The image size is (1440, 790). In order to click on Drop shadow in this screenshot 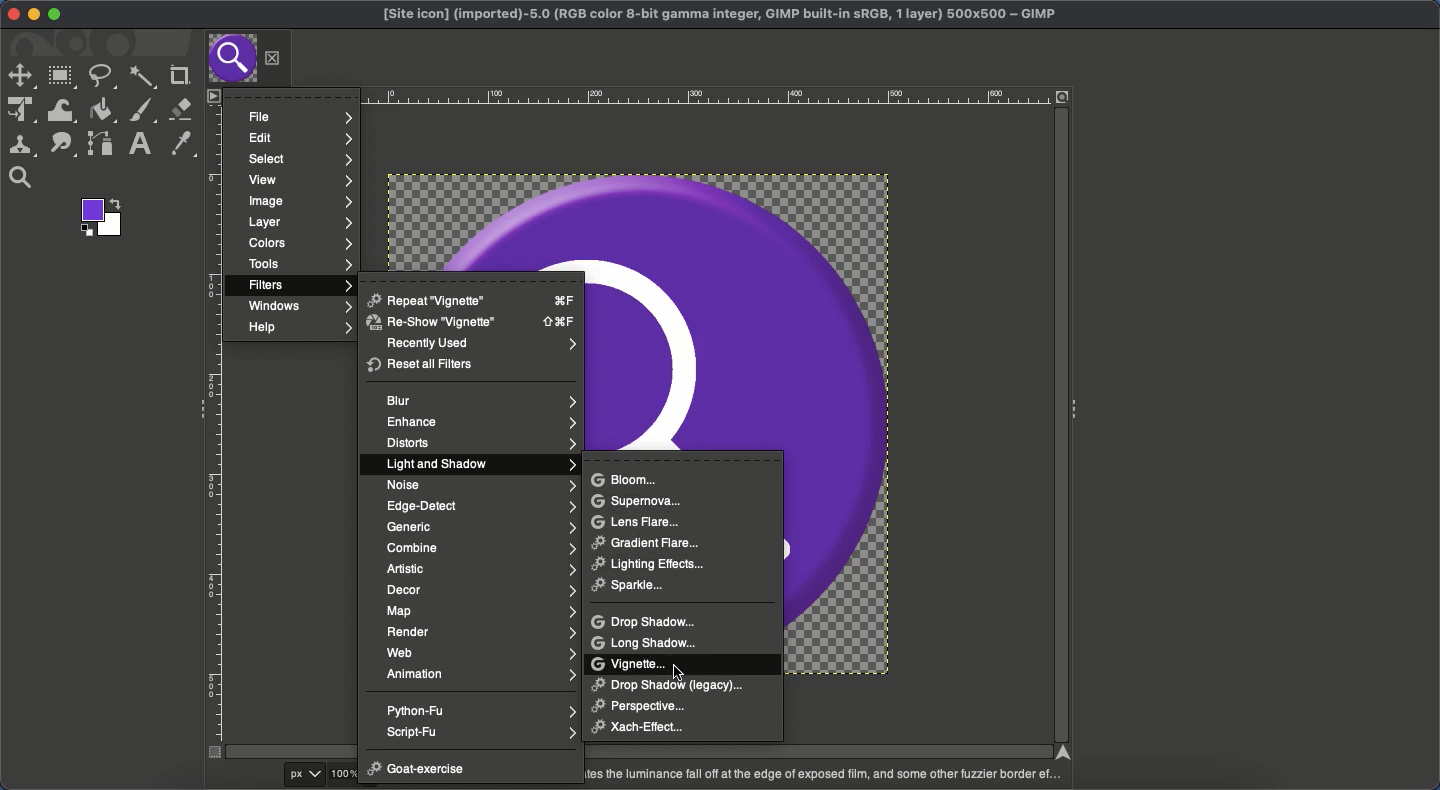, I will do `click(665, 684)`.